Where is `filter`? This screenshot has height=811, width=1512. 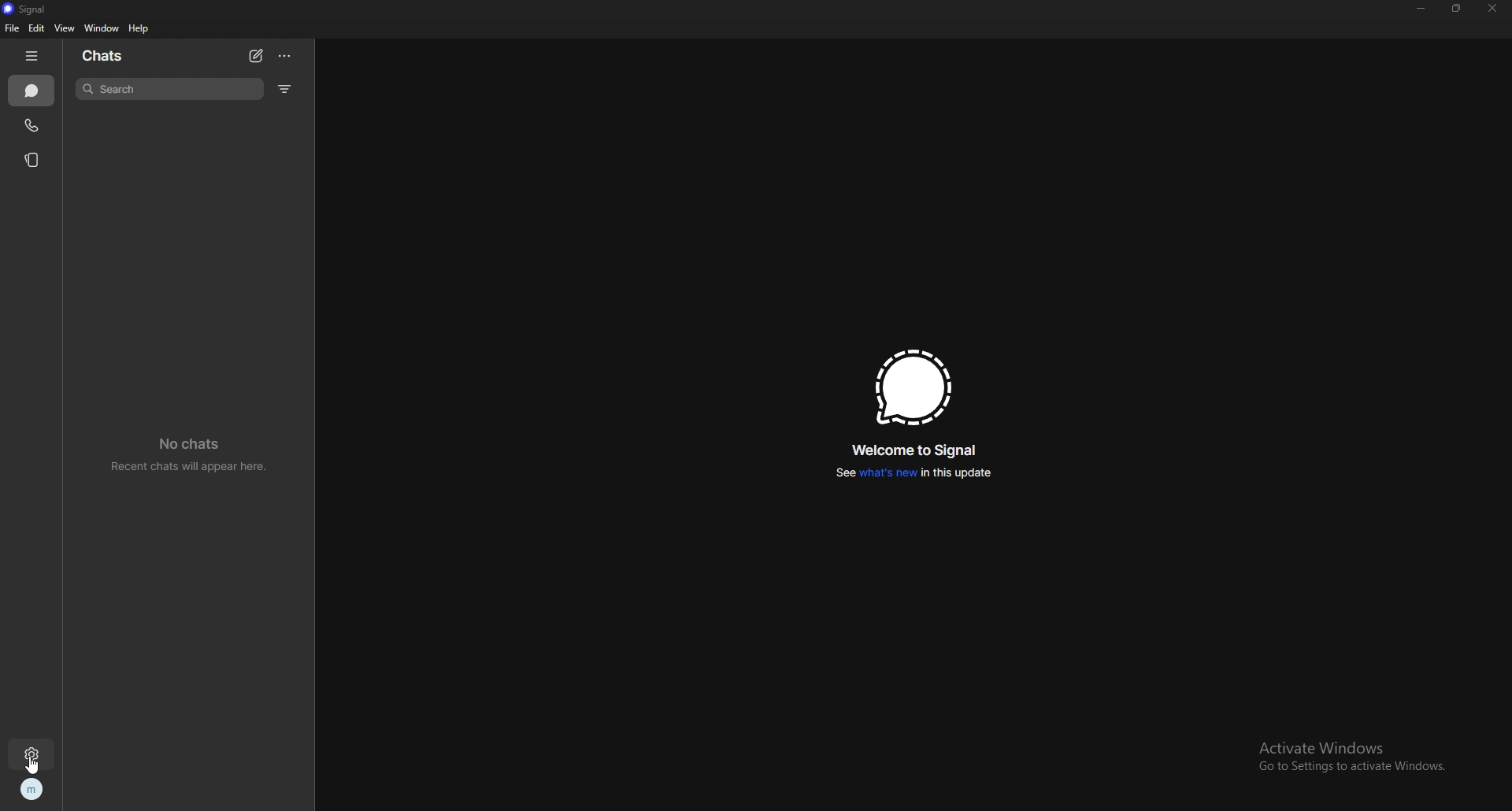 filter is located at coordinates (286, 88).